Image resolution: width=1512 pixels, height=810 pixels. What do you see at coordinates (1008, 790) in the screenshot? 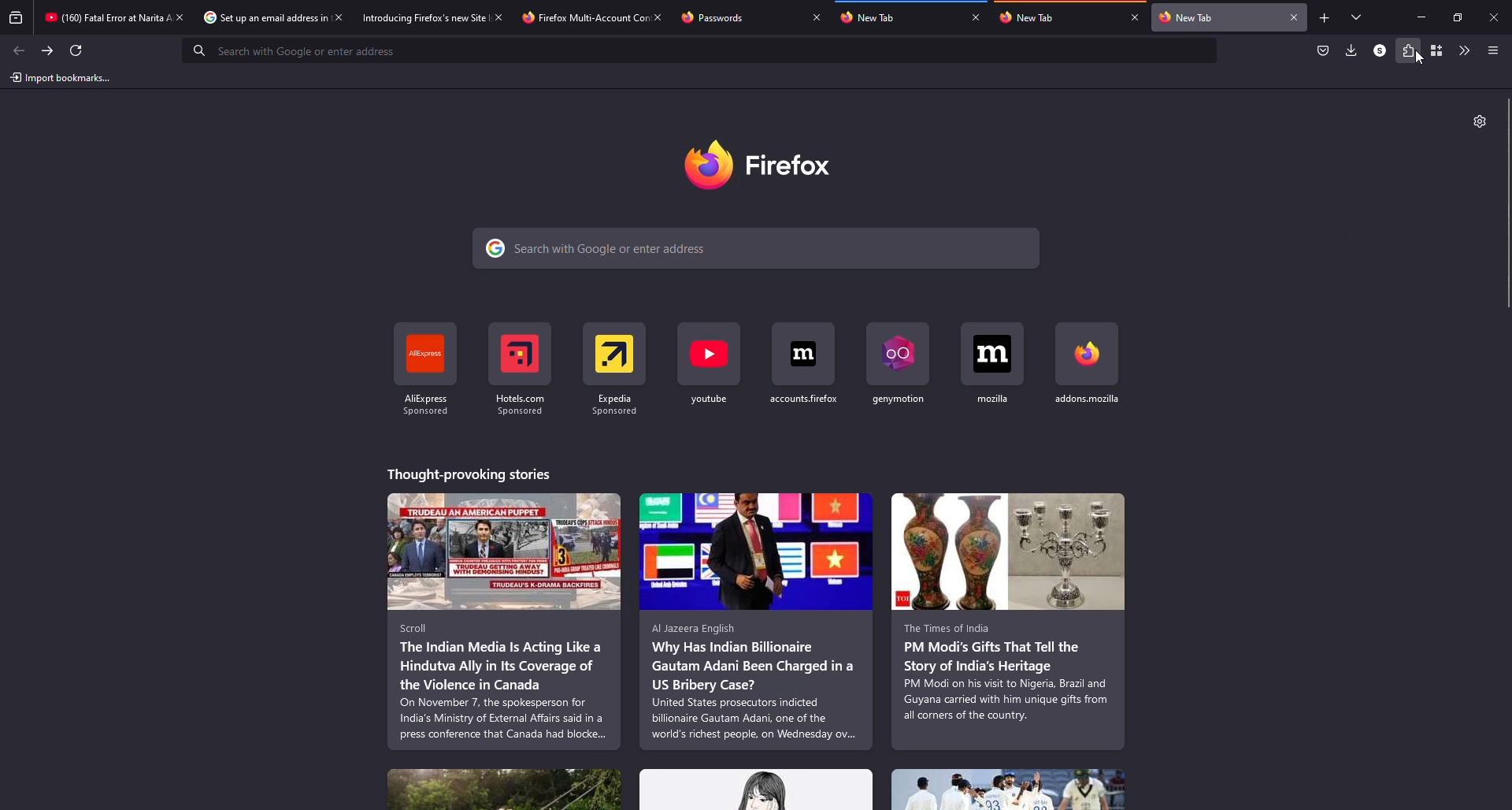
I see `stories` at bounding box center [1008, 790].